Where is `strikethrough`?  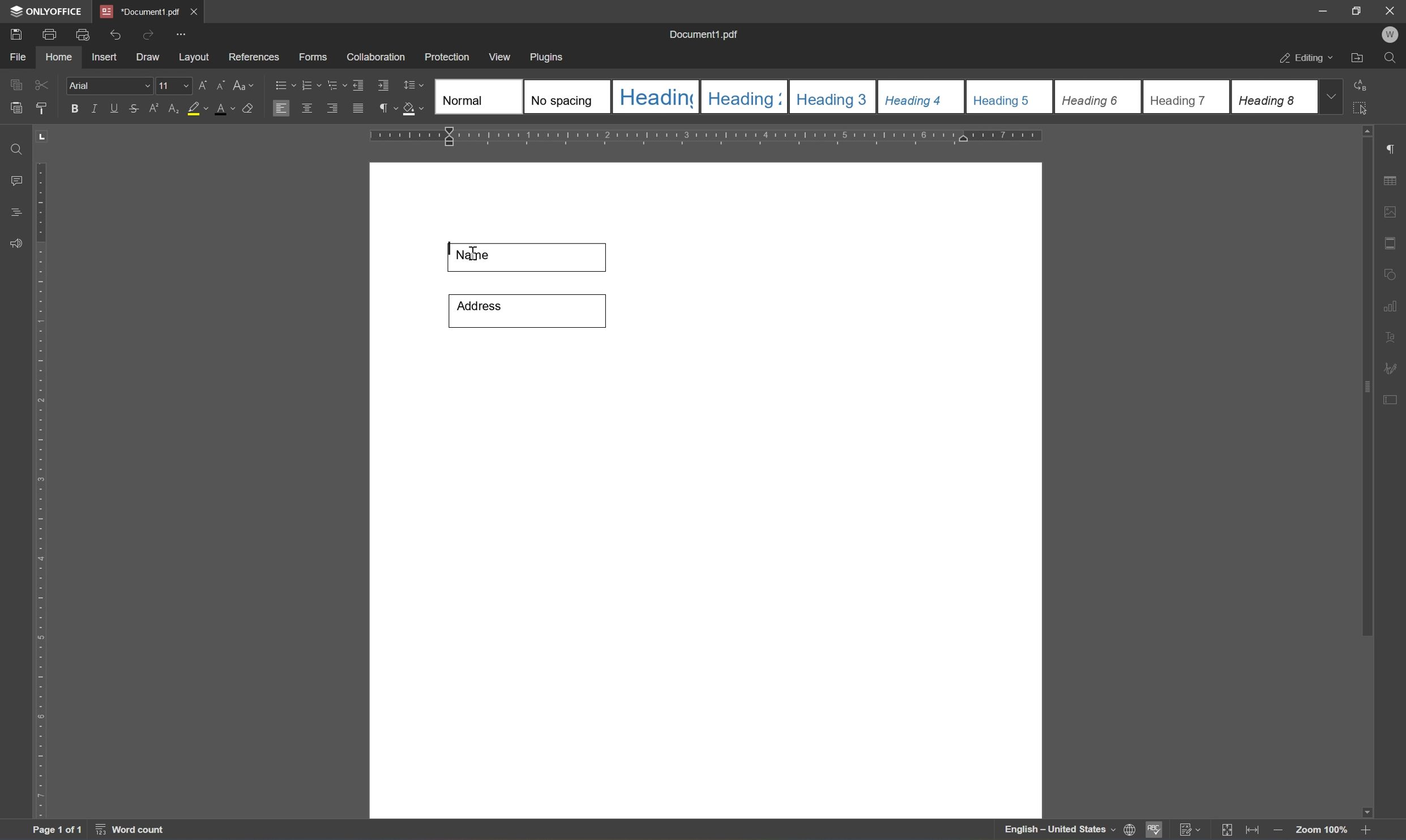 strikethrough is located at coordinates (133, 108).